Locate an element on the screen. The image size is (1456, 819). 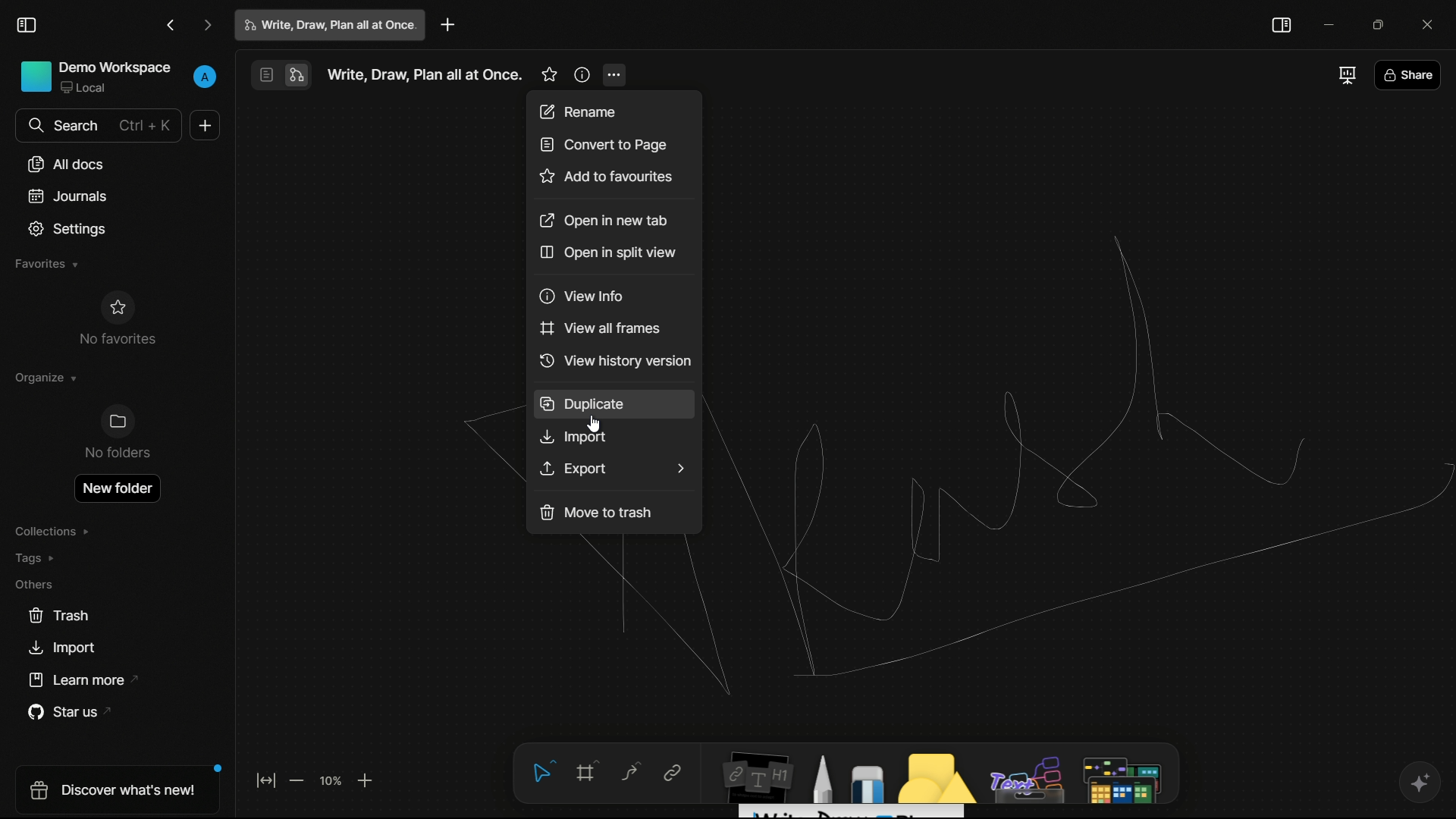
profile name is located at coordinates (206, 78).